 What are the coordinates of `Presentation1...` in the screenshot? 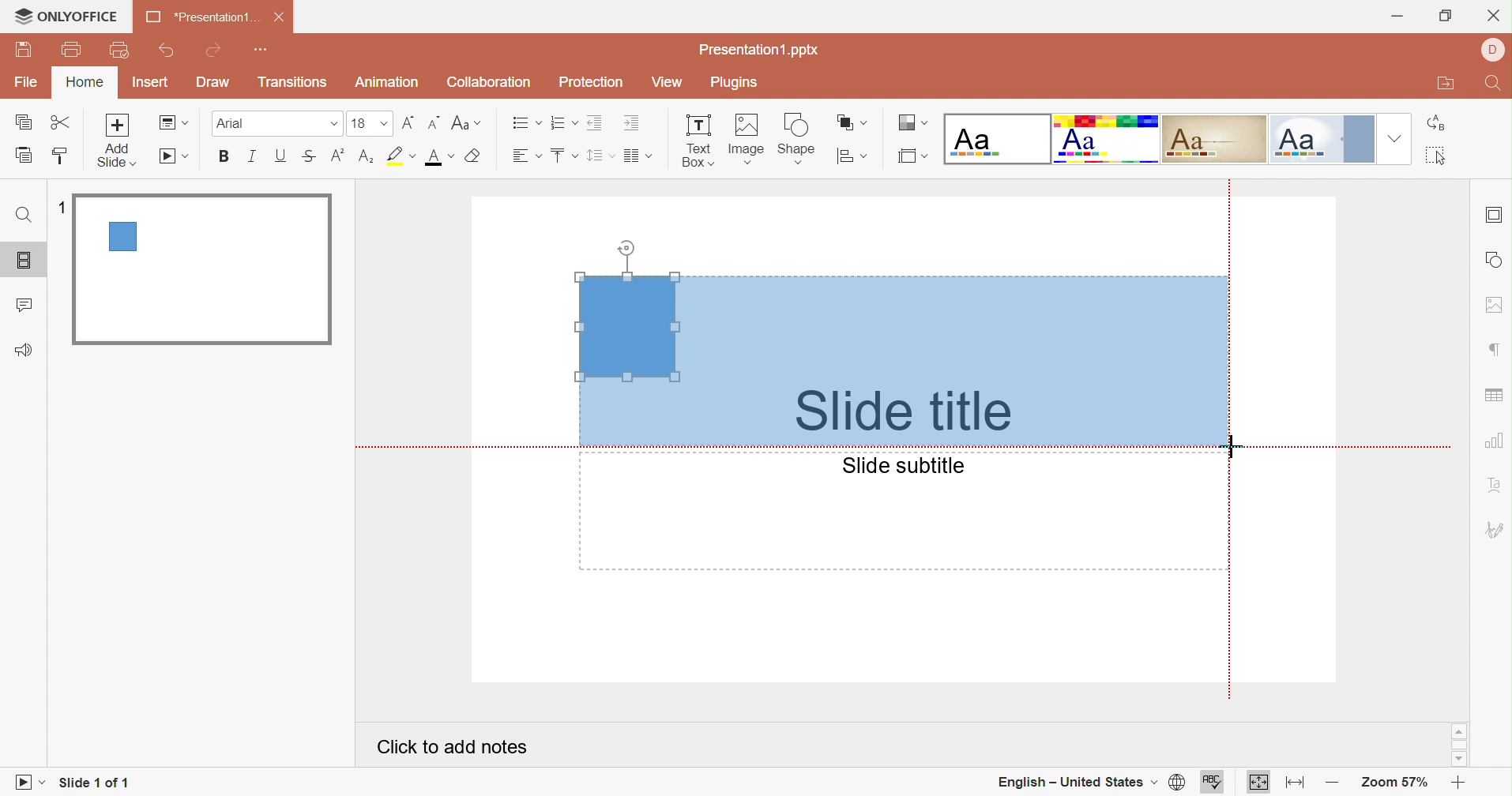 It's located at (201, 16).